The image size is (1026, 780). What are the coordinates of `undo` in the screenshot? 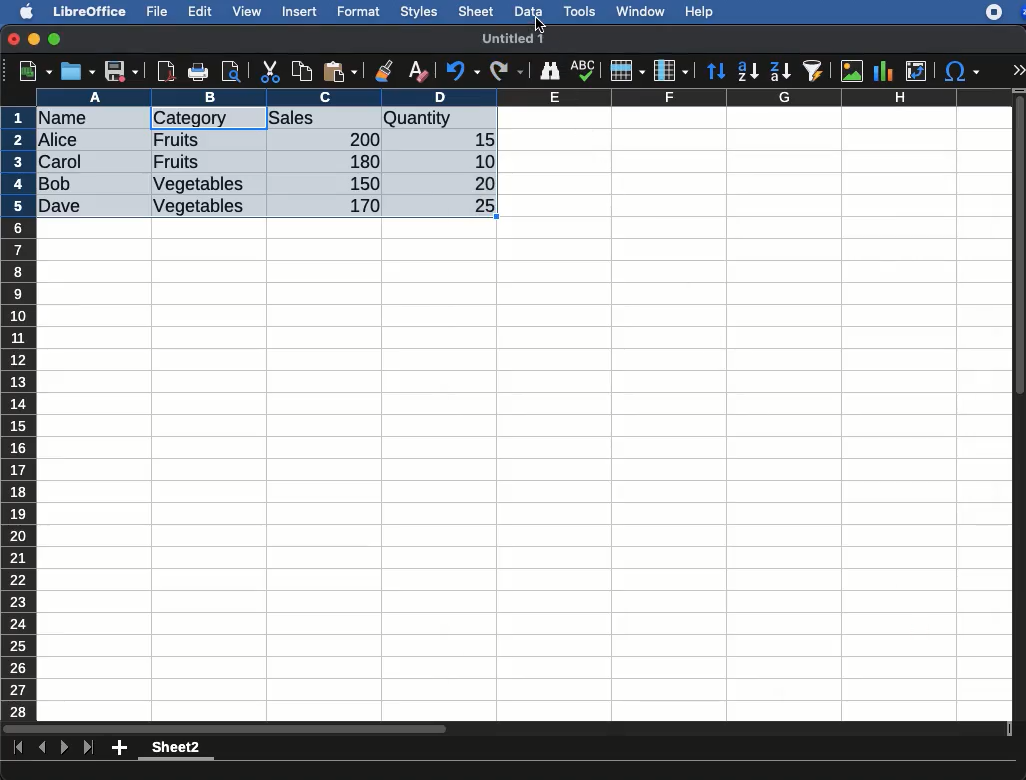 It's located at (463, 71).